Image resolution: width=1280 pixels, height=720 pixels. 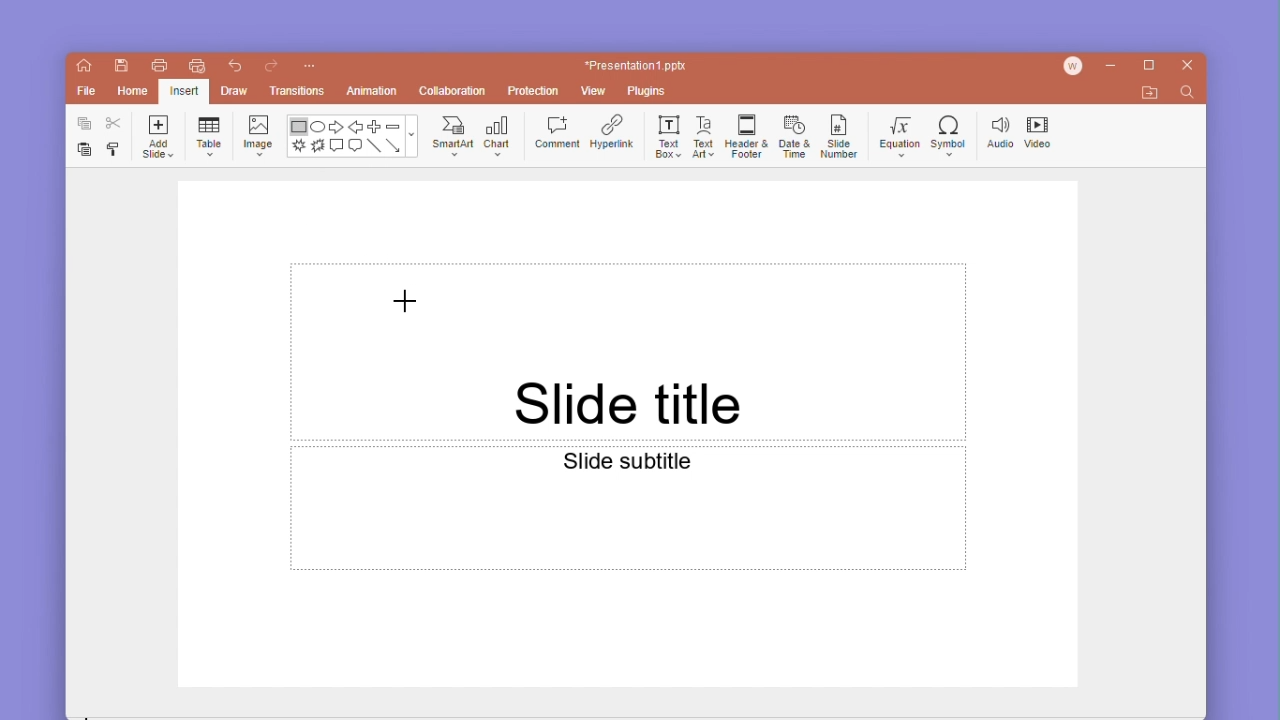 What do you see at coordinates (84, 68) in the screenshot?
I see `home` at bounding box center [84, 68].